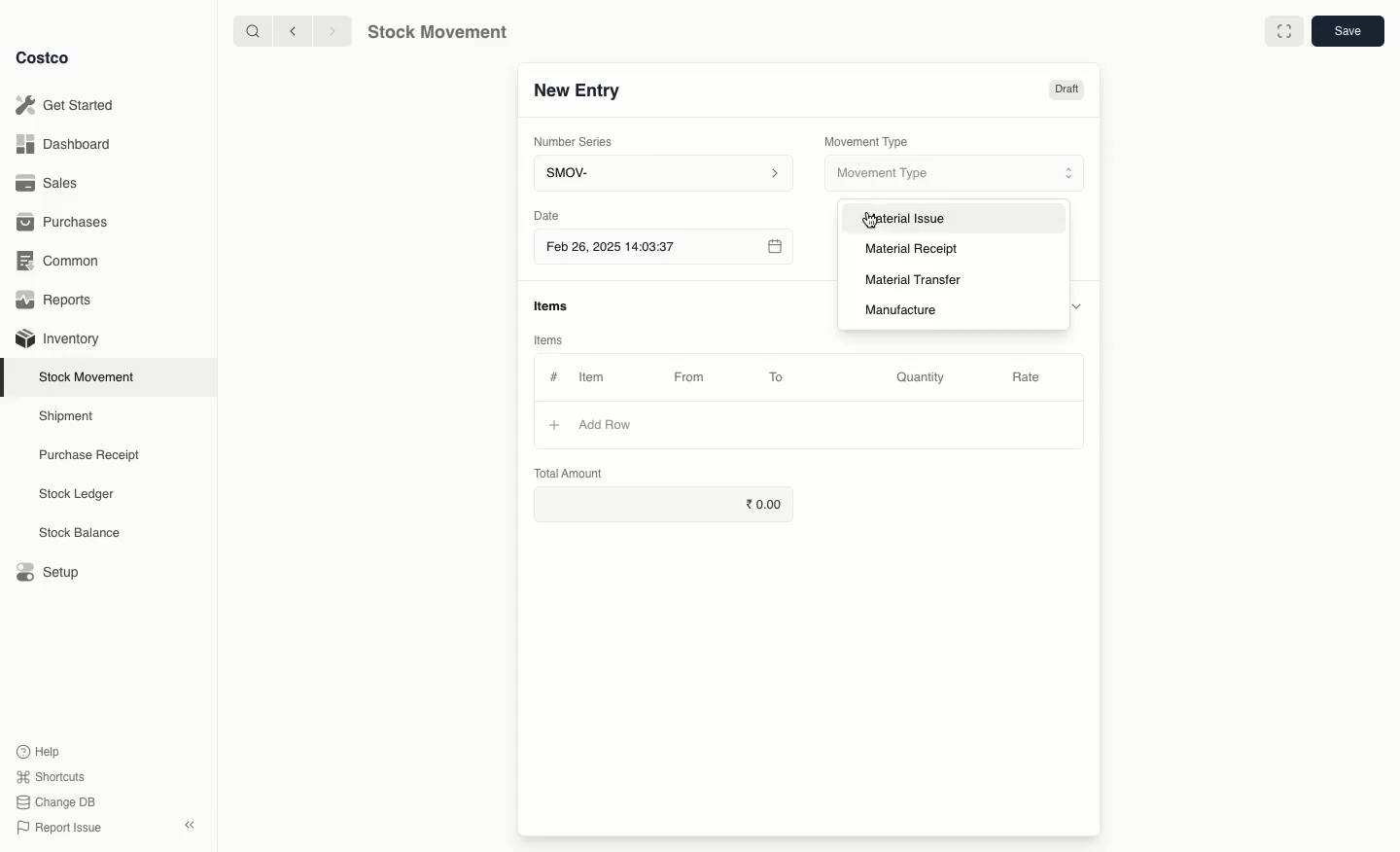 The height and width of the screenshot is (852, 1400). What do you see at coordinates (58, 300) in the screenshot?
I see `Reports` at bounding box center [58, 300].